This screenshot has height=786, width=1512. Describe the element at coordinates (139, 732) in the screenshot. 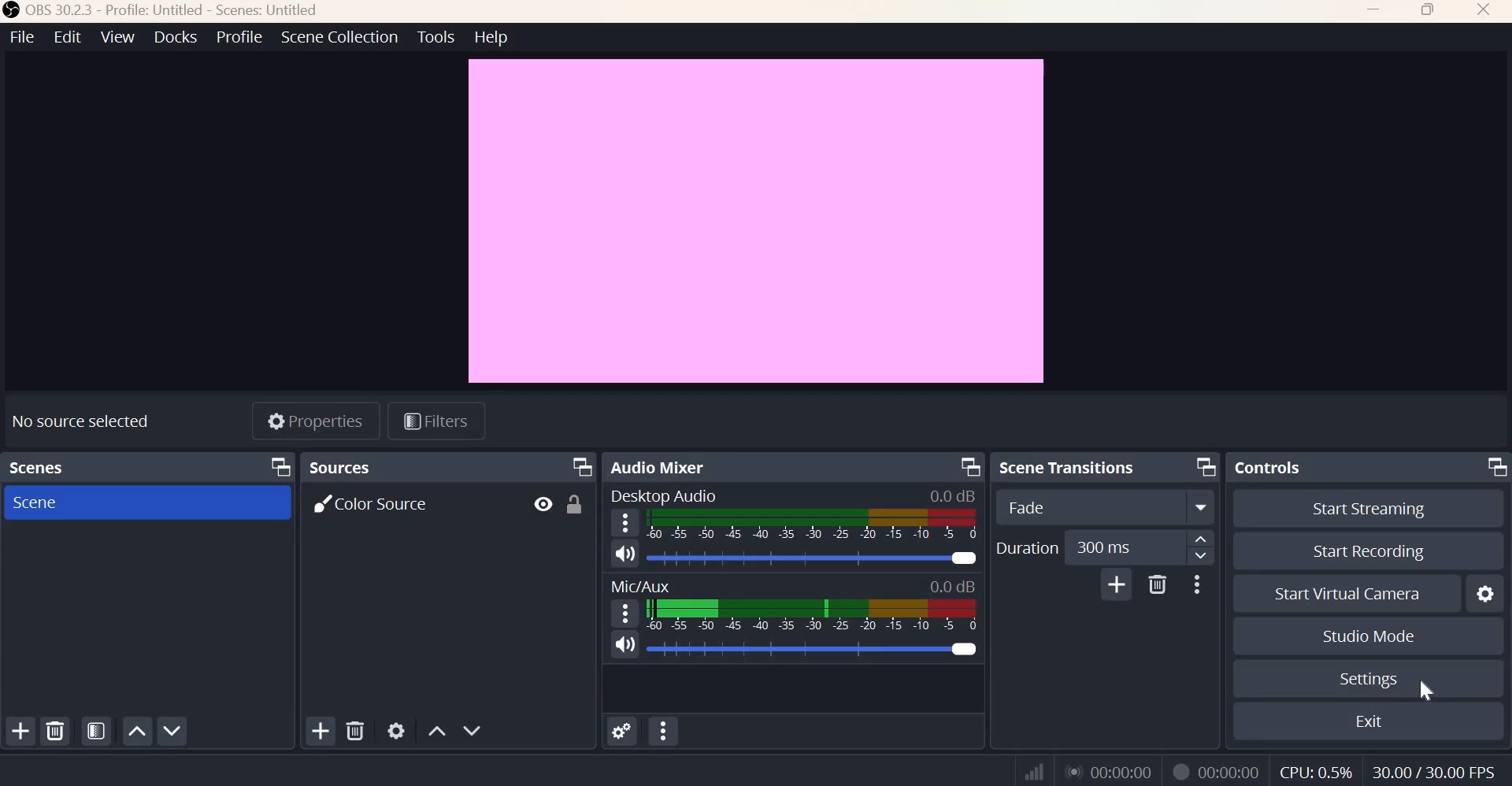

I see `Move scene up` at that location.